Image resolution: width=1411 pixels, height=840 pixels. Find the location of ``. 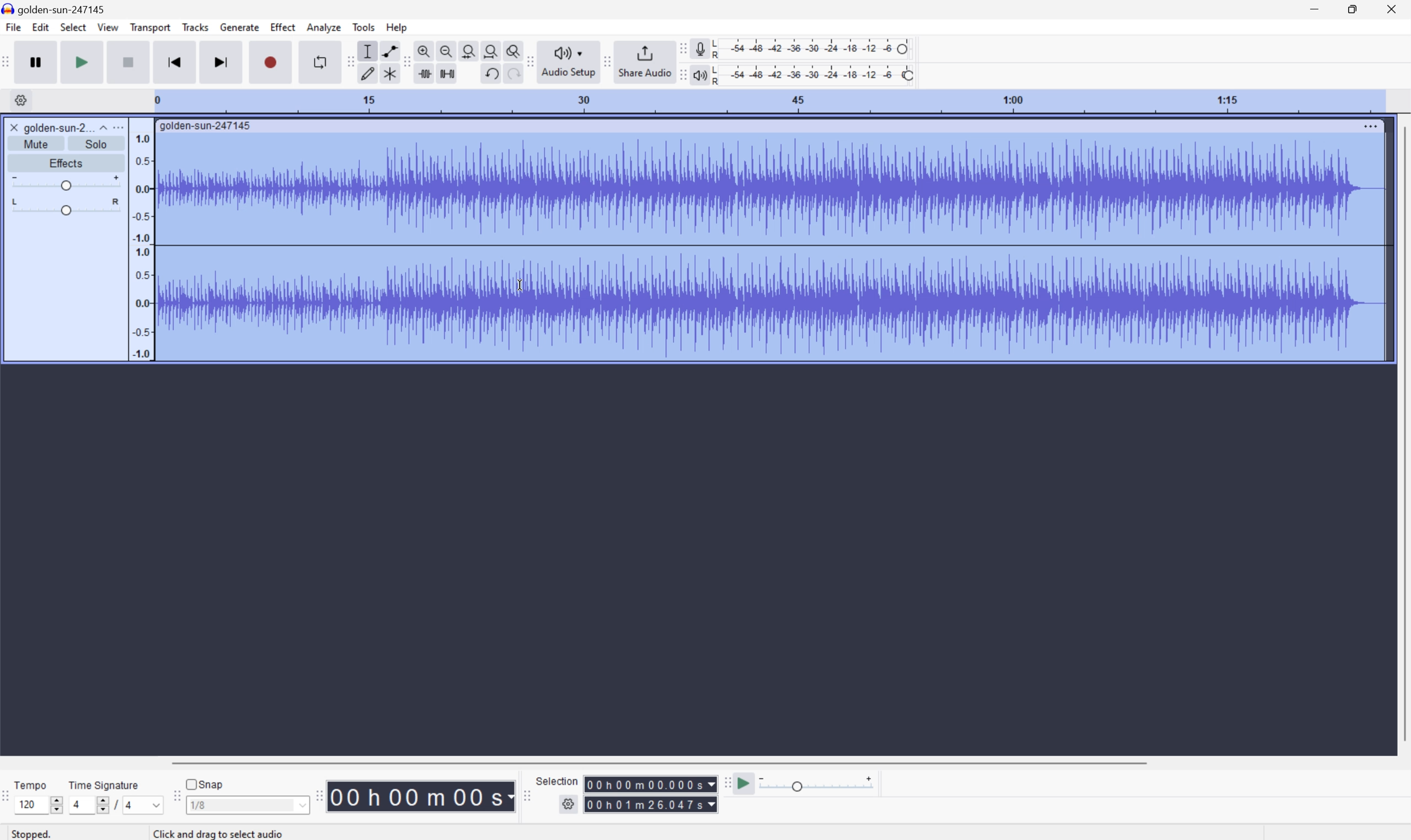

 is located at coordinates (510, 75).